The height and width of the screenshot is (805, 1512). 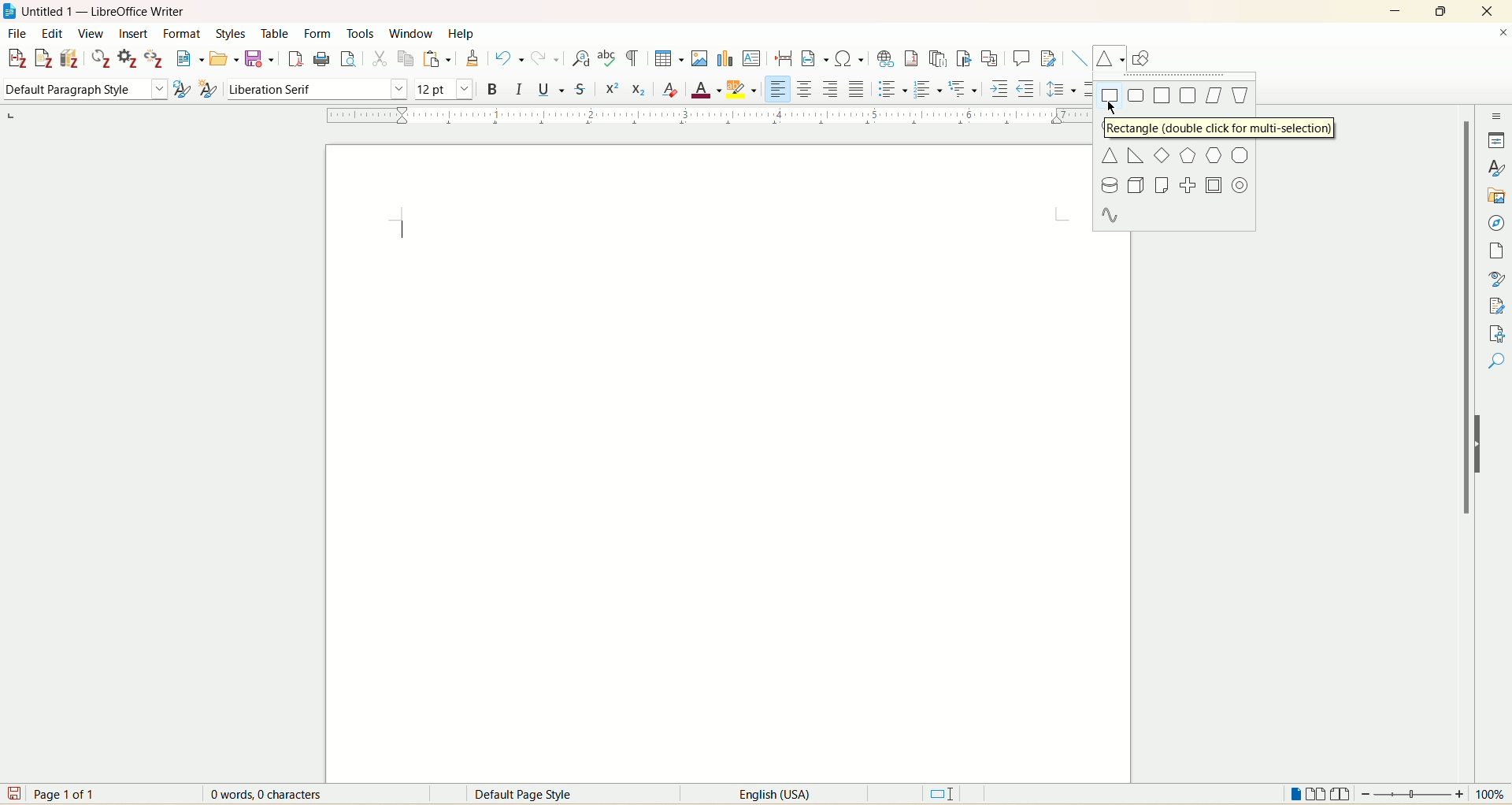 I want to click on view, so click(x=91, y=33).